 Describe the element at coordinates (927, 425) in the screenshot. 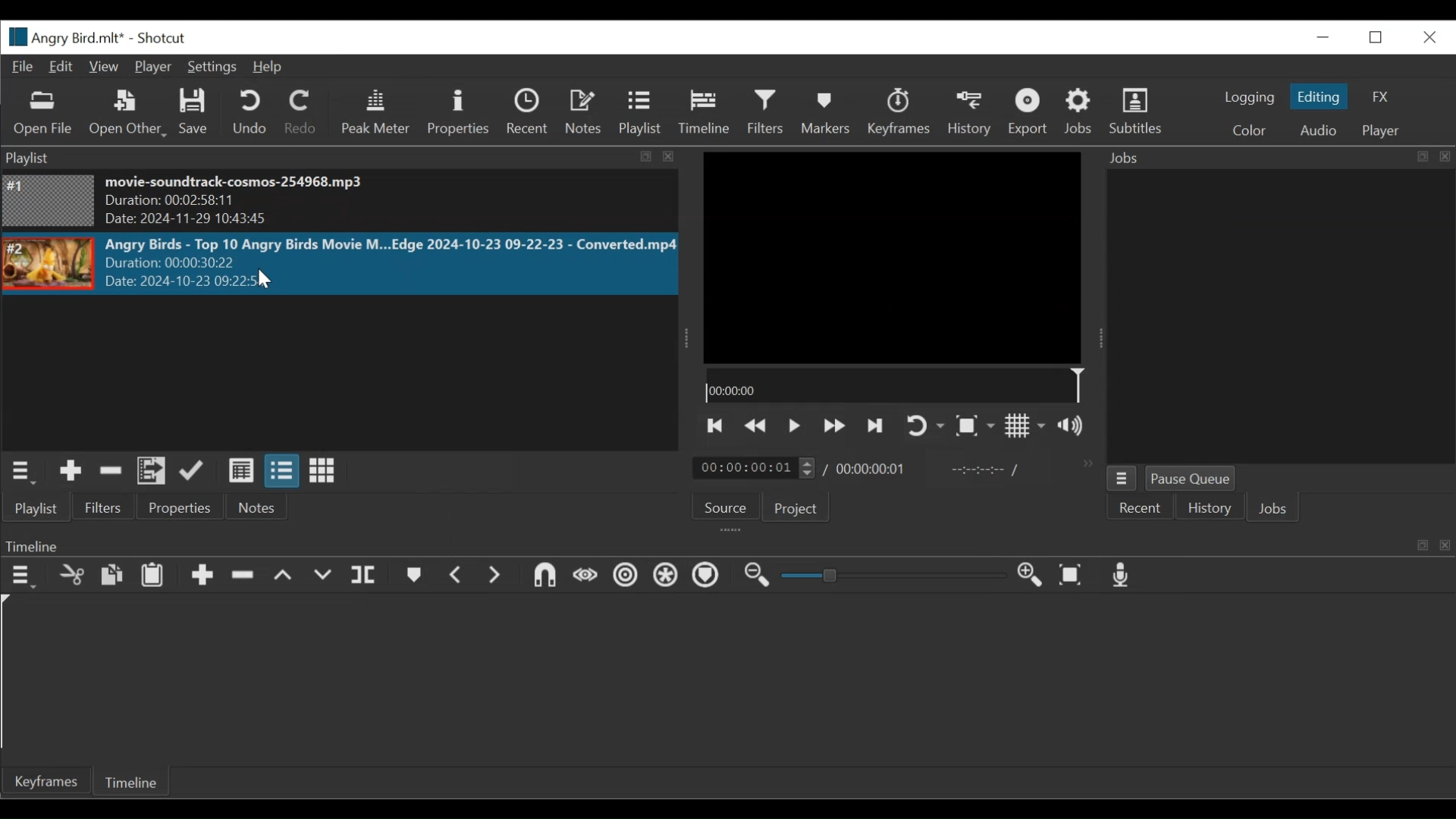

I see `Toggle on ` at that location.